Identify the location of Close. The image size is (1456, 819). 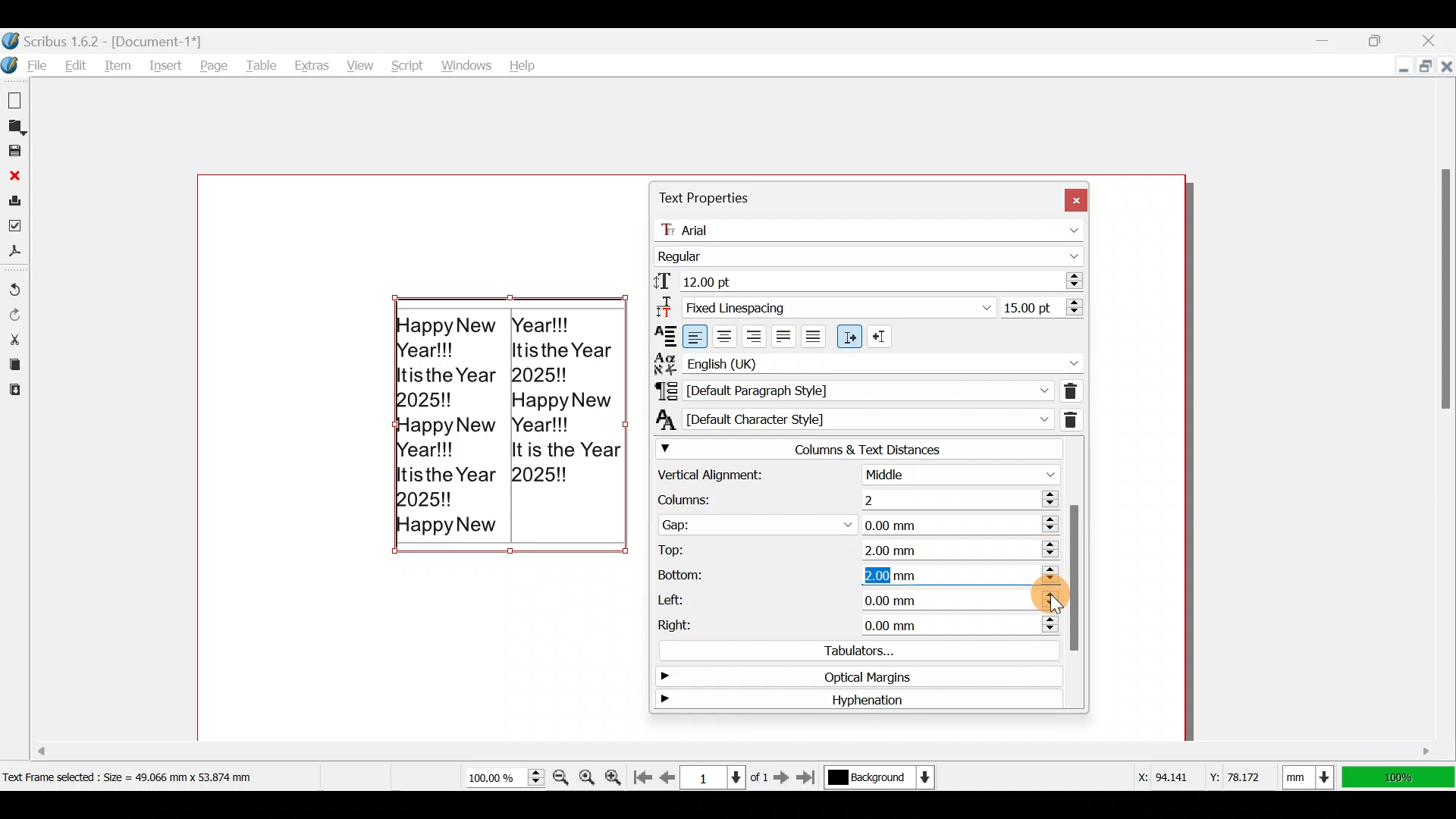
(1445, 65).